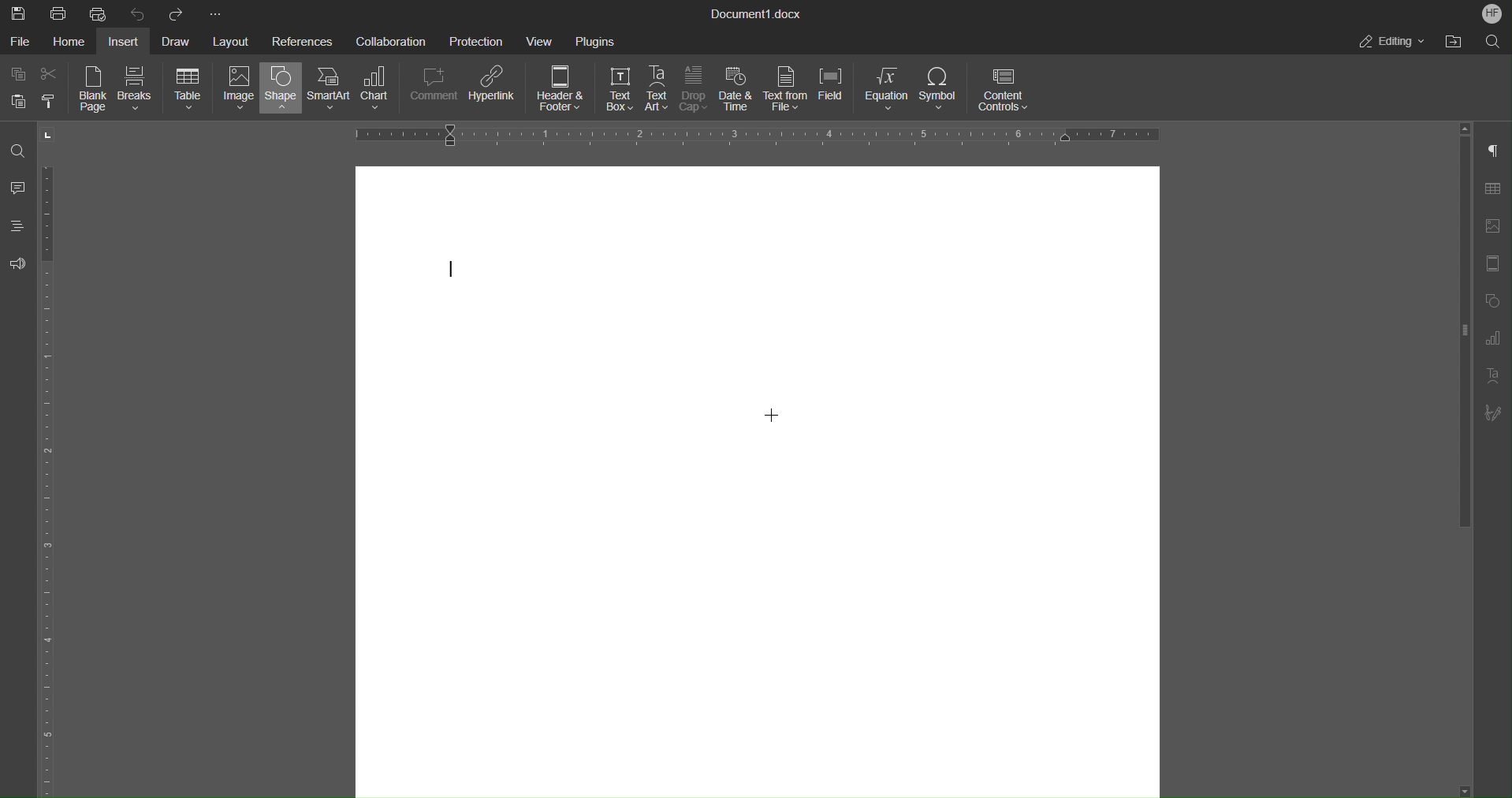 This screenshot has height=798, width=1512. I want to click on Document1.docx, so click(758, 15).